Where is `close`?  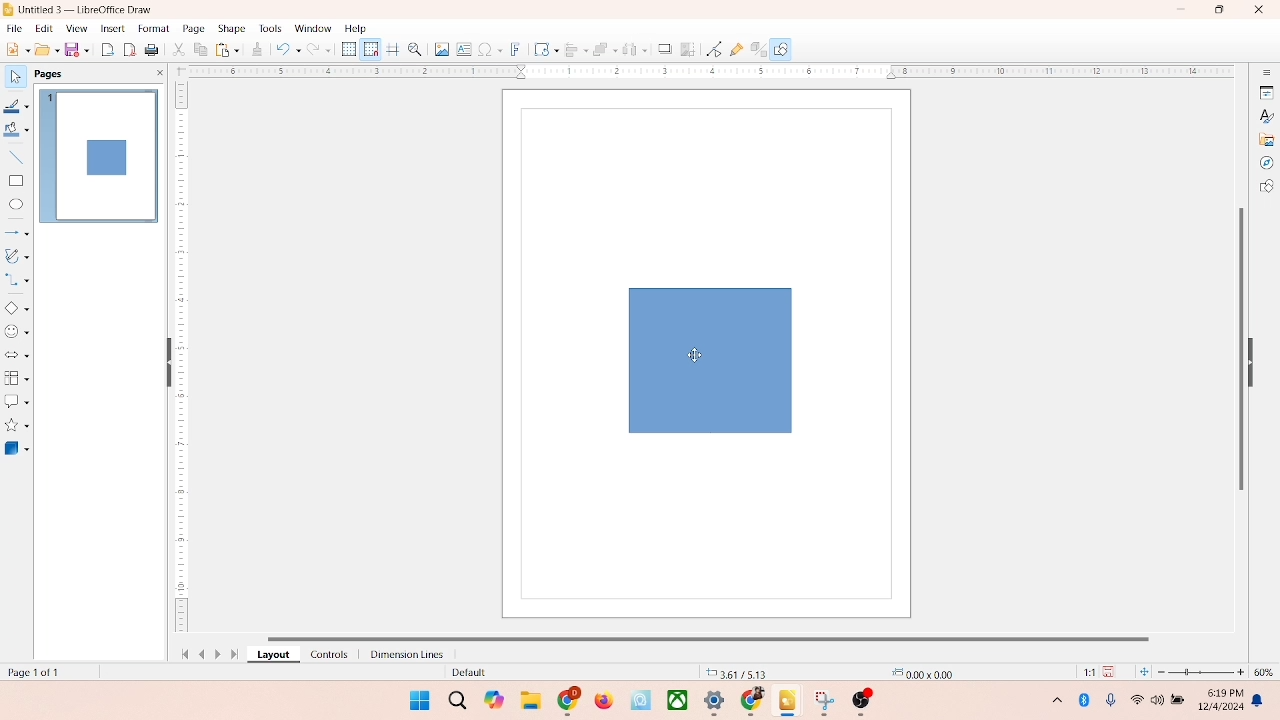
close is located at coordinates (156, 73).